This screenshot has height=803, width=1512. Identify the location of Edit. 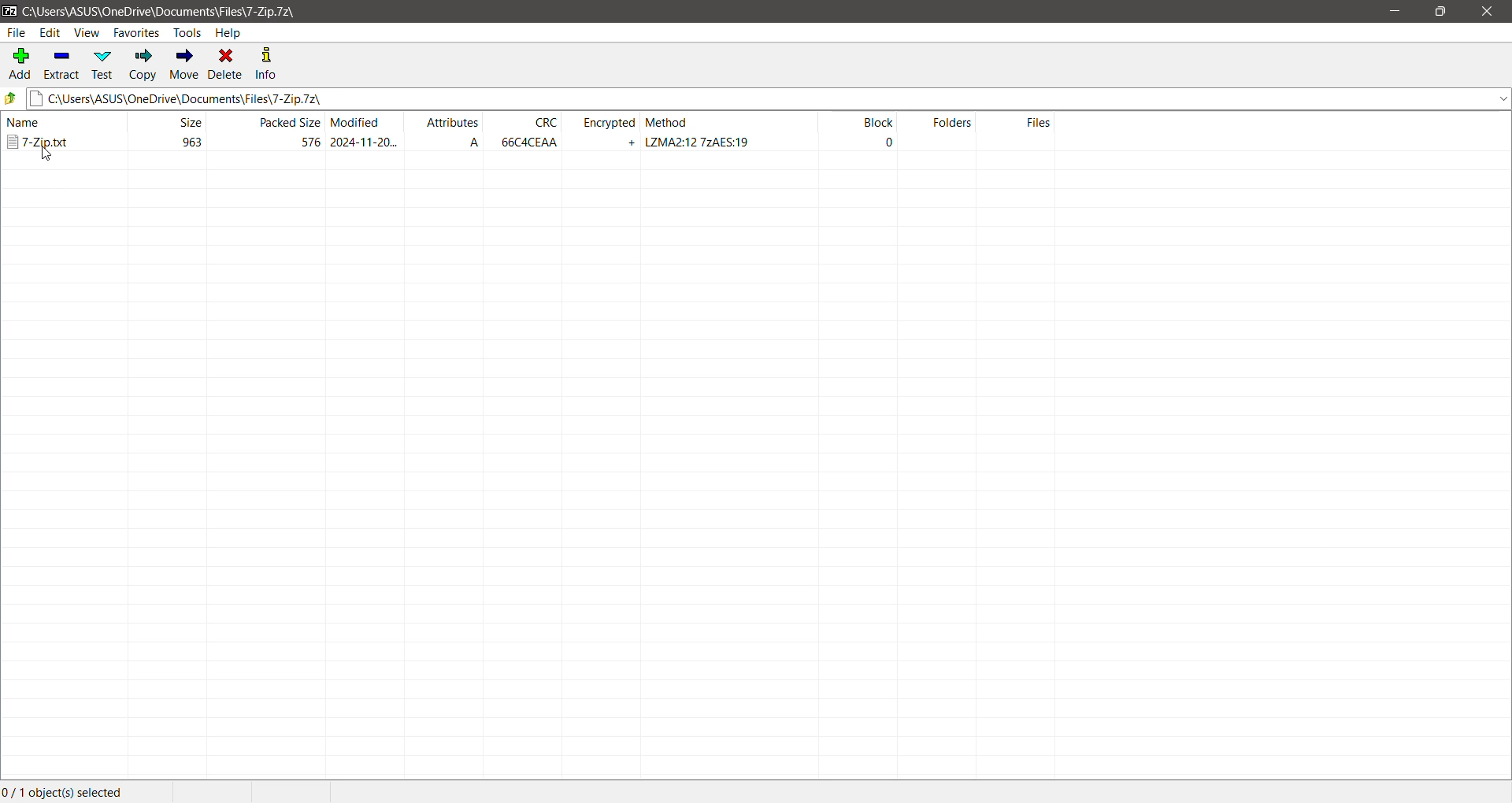
(48, 33).